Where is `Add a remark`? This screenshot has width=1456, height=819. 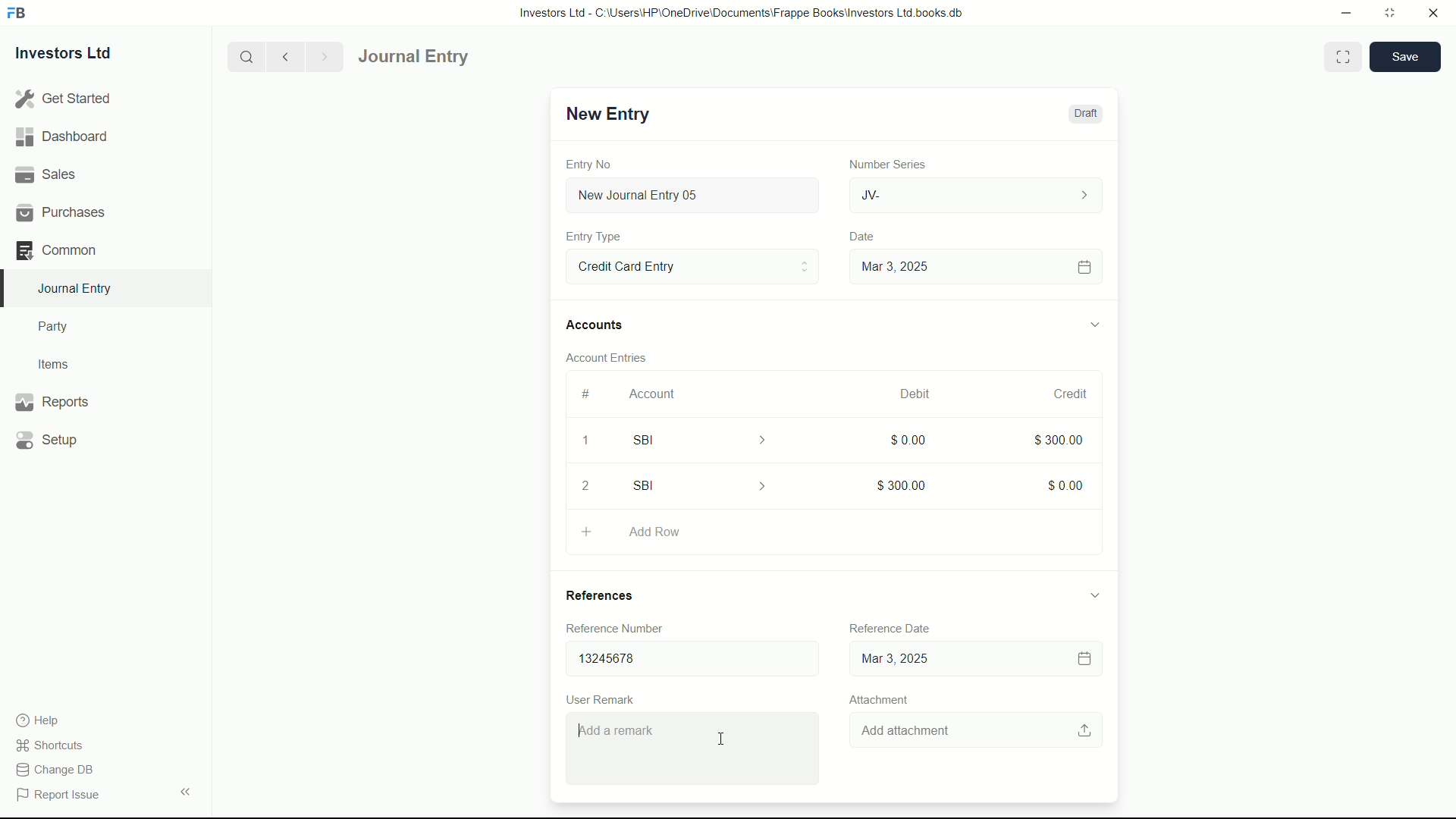 Add a remark is located at coordinates (695, 752).